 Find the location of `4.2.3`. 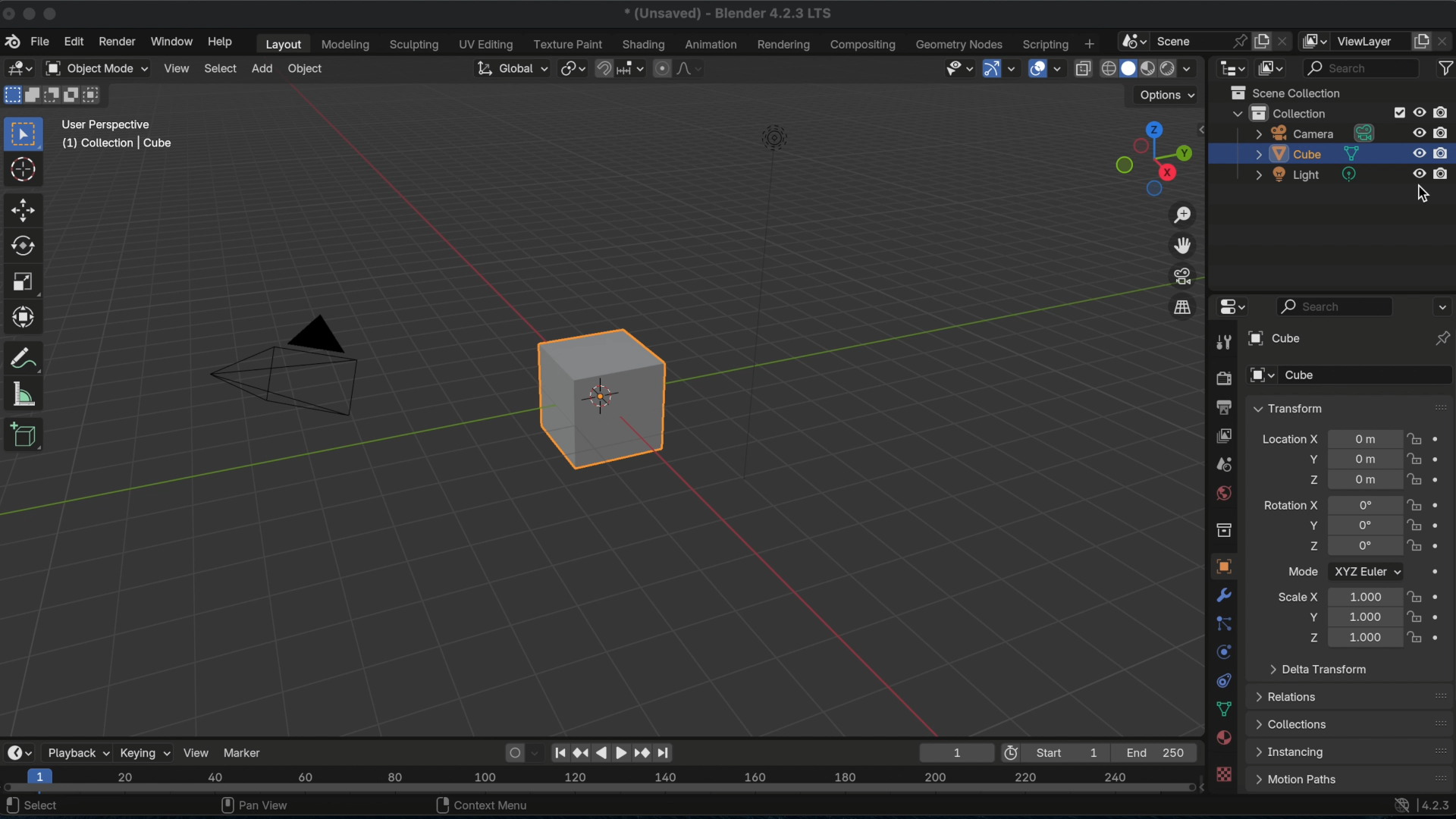

4.2.3 is located at coordinates (1437, 806).